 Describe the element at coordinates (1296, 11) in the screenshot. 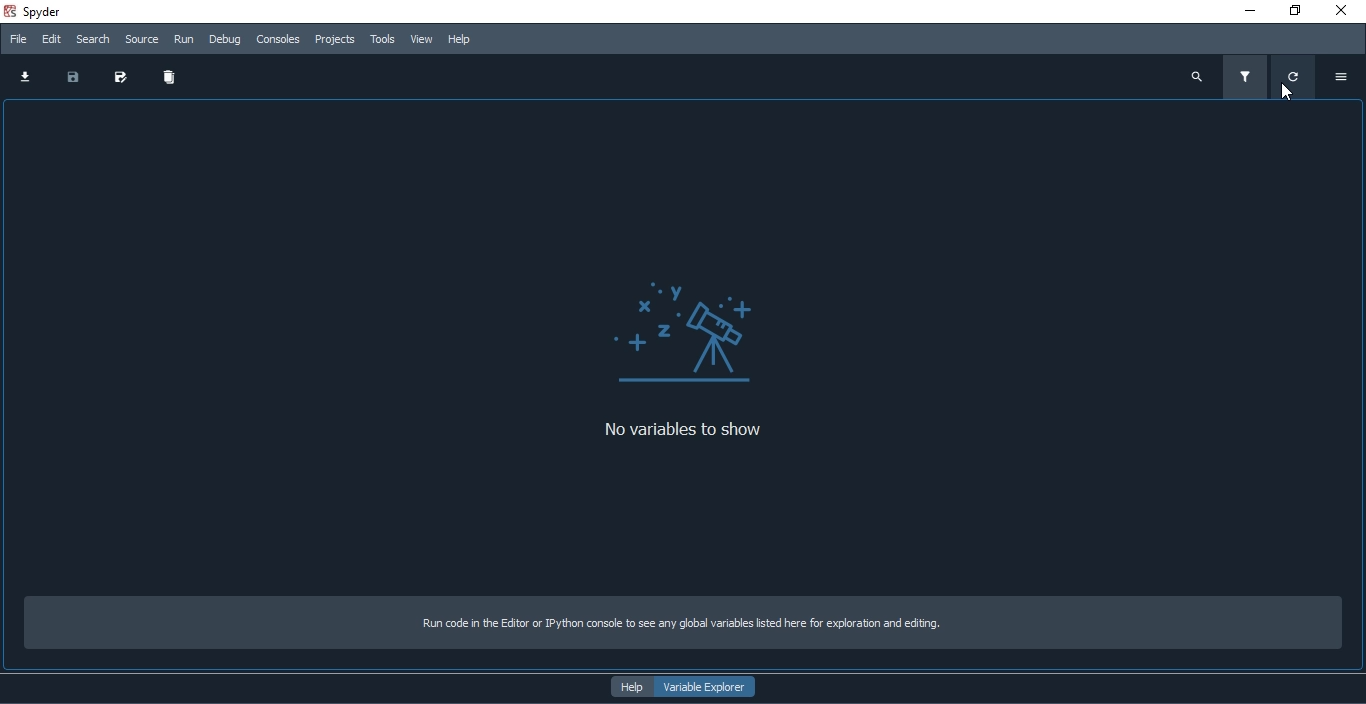

I see `restore` at that location.